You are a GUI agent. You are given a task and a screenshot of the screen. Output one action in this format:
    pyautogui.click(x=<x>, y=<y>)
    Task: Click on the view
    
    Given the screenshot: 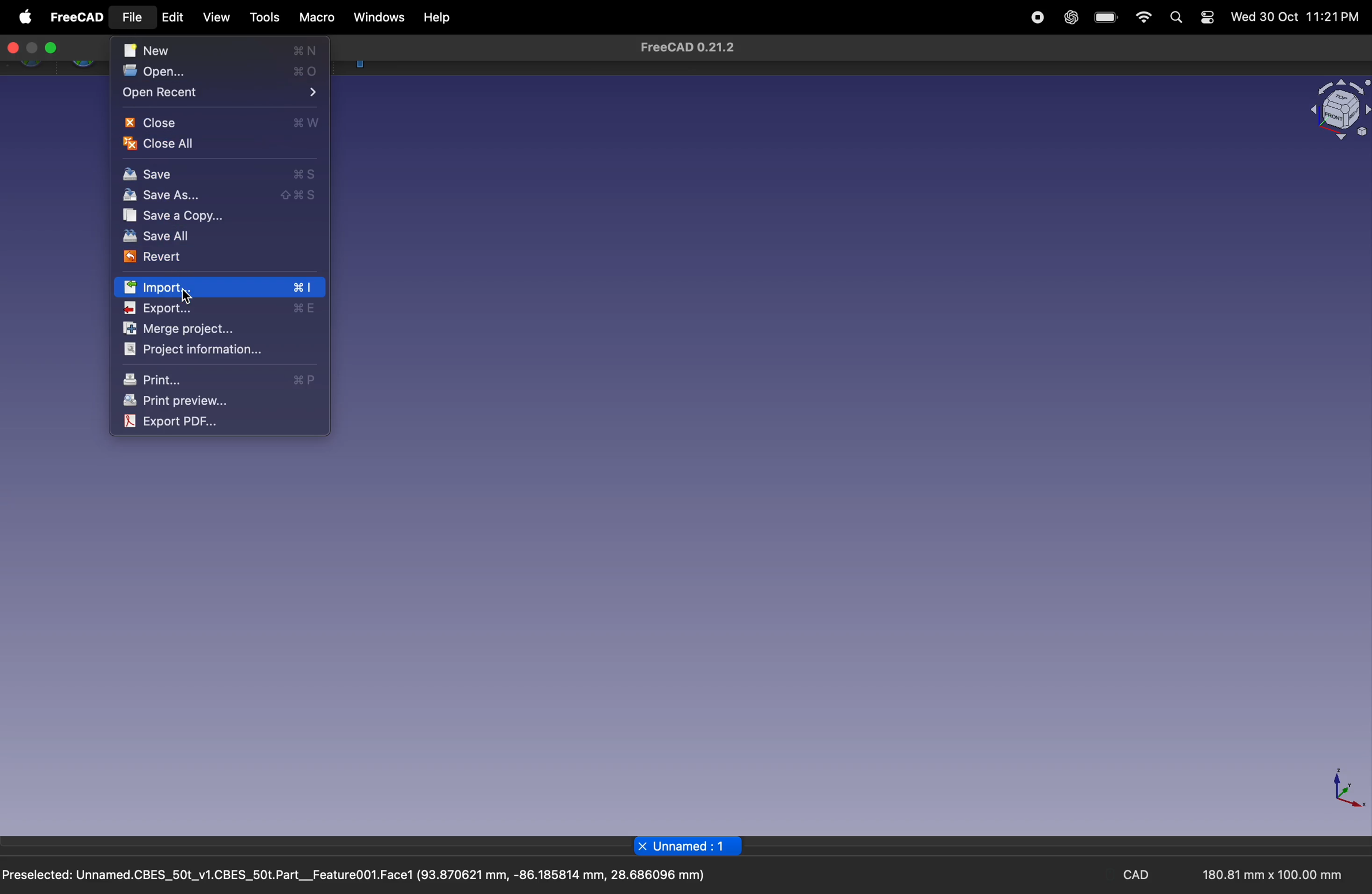 What is the action you would take?
    pyautogui.click(x=217, y=19)
    